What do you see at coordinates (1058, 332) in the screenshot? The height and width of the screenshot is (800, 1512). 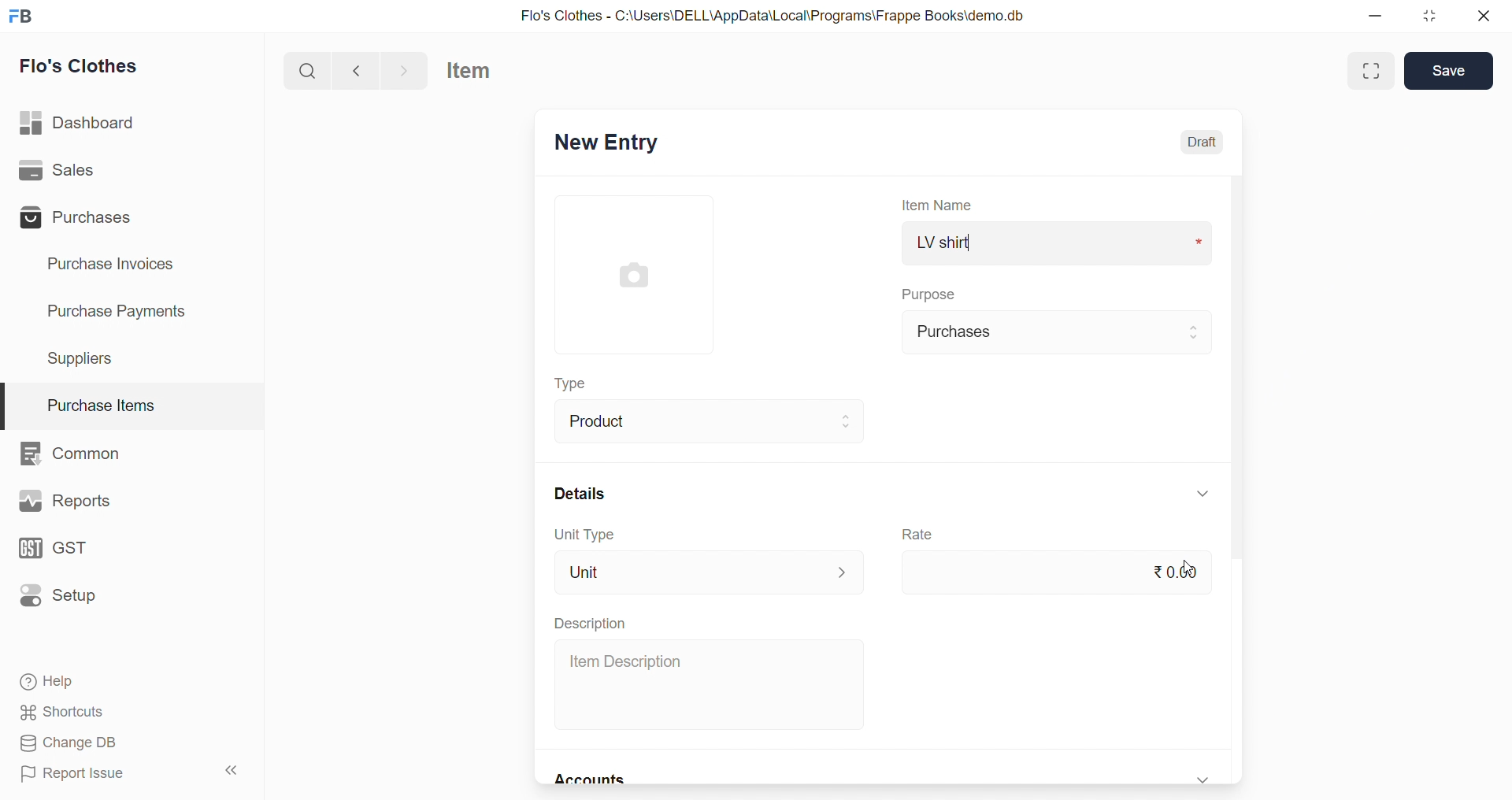 I see `Purchases` at bounding box center [1058, 332].